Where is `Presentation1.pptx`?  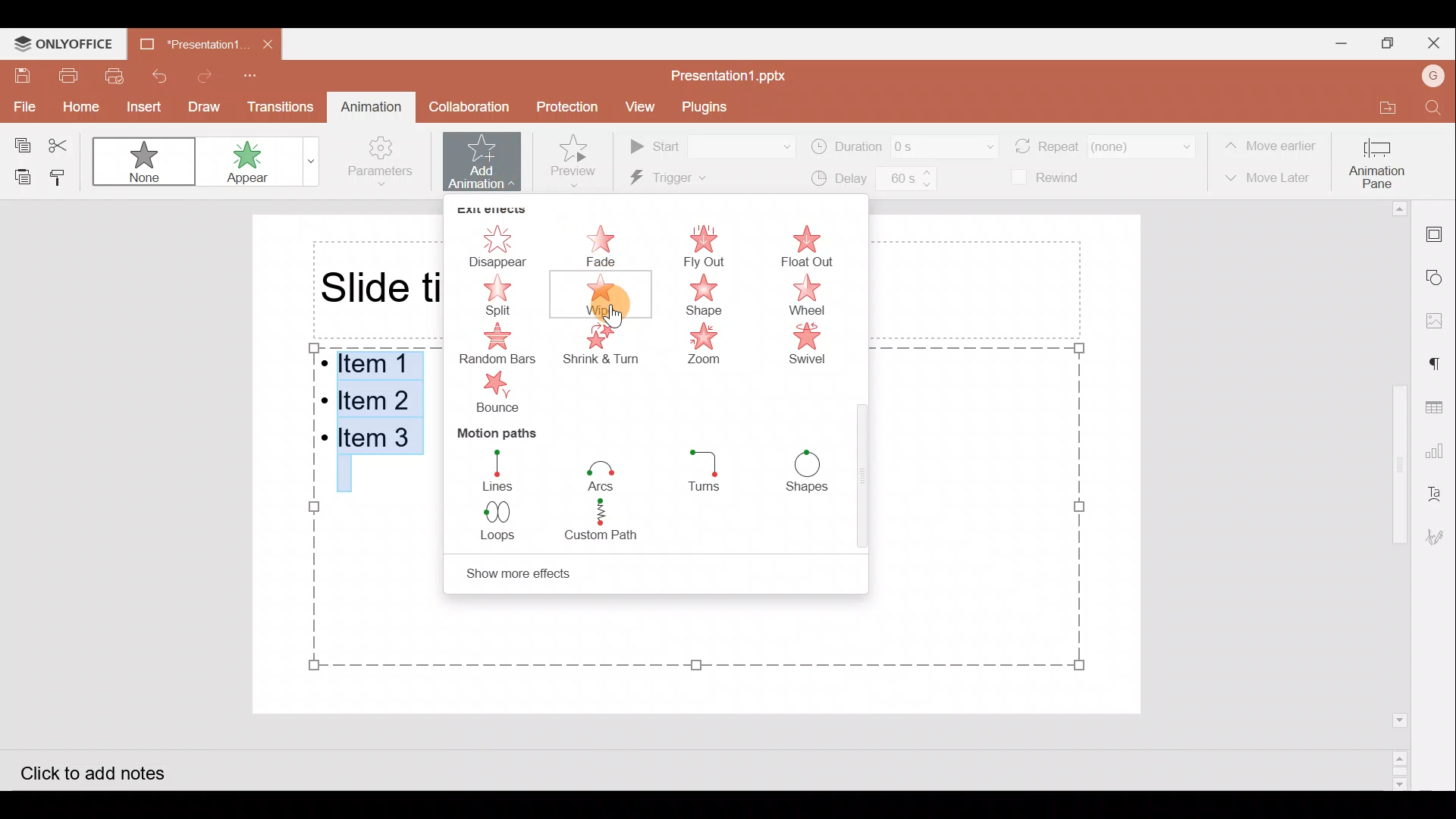 Presentation1.pptx is located at coordinates (736, 74).